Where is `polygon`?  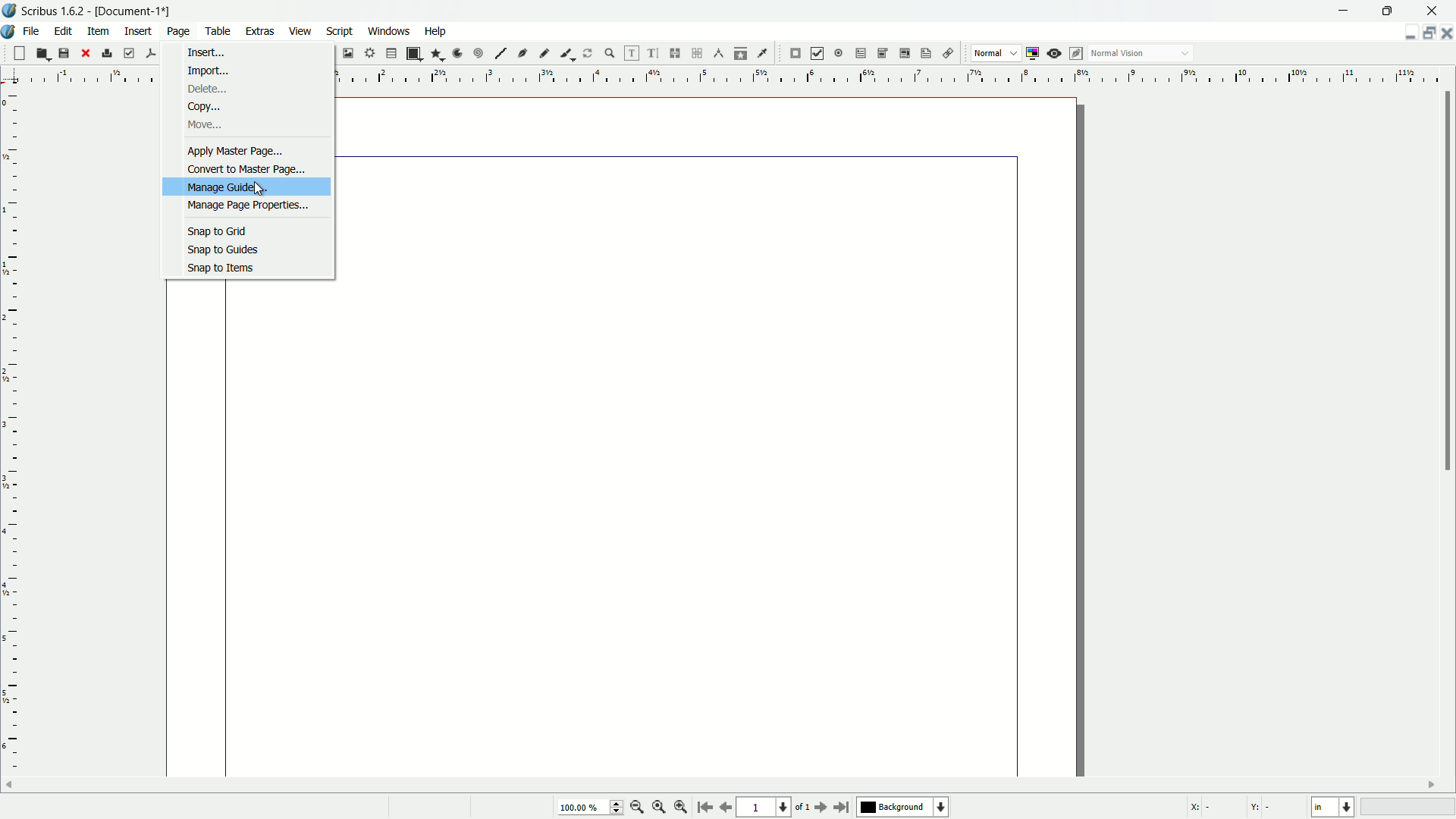 polygon is located at coordinates (437, 55).